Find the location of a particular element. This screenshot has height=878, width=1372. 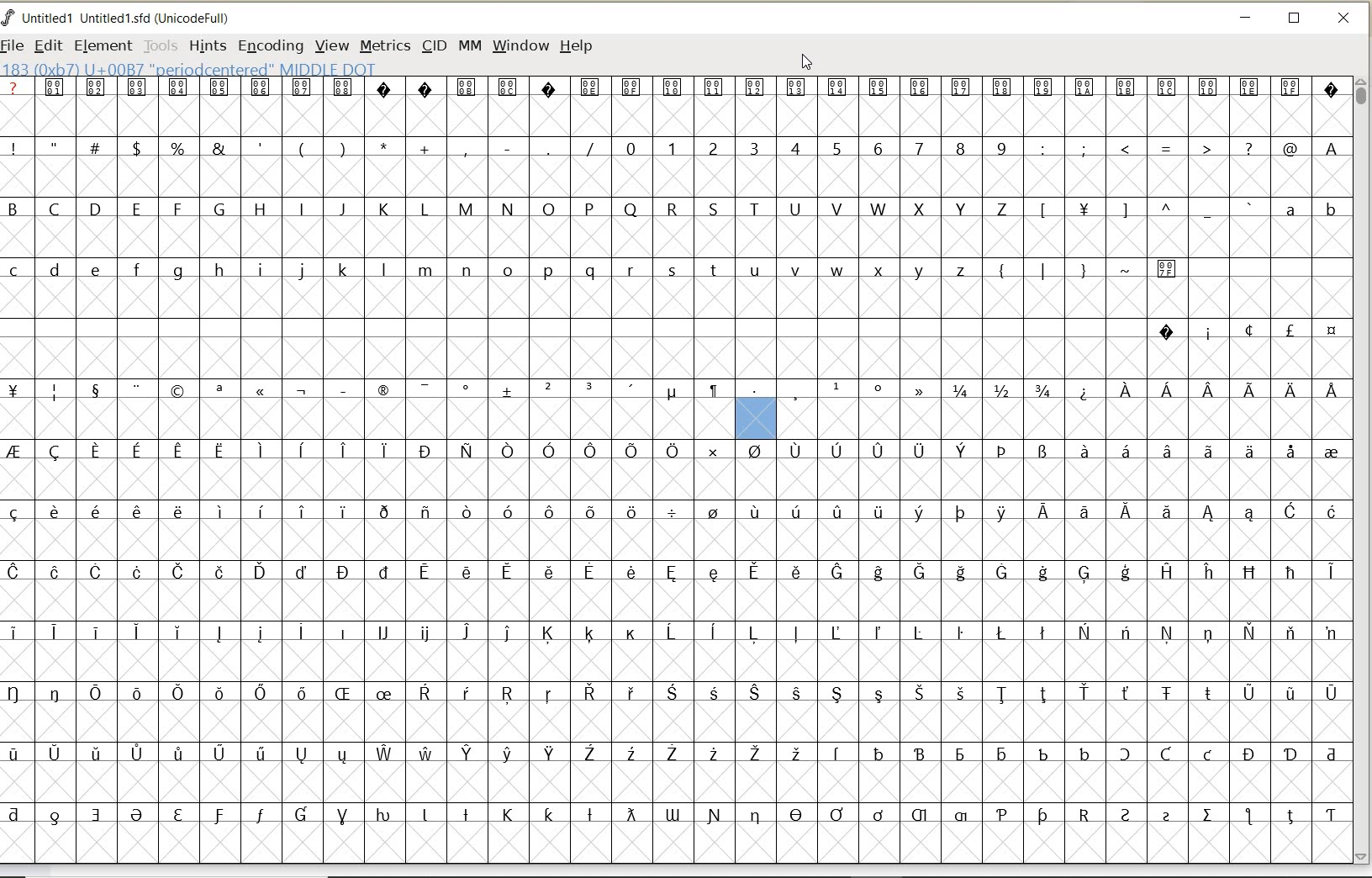

uppercase letters is located at coordinates (511, 209).